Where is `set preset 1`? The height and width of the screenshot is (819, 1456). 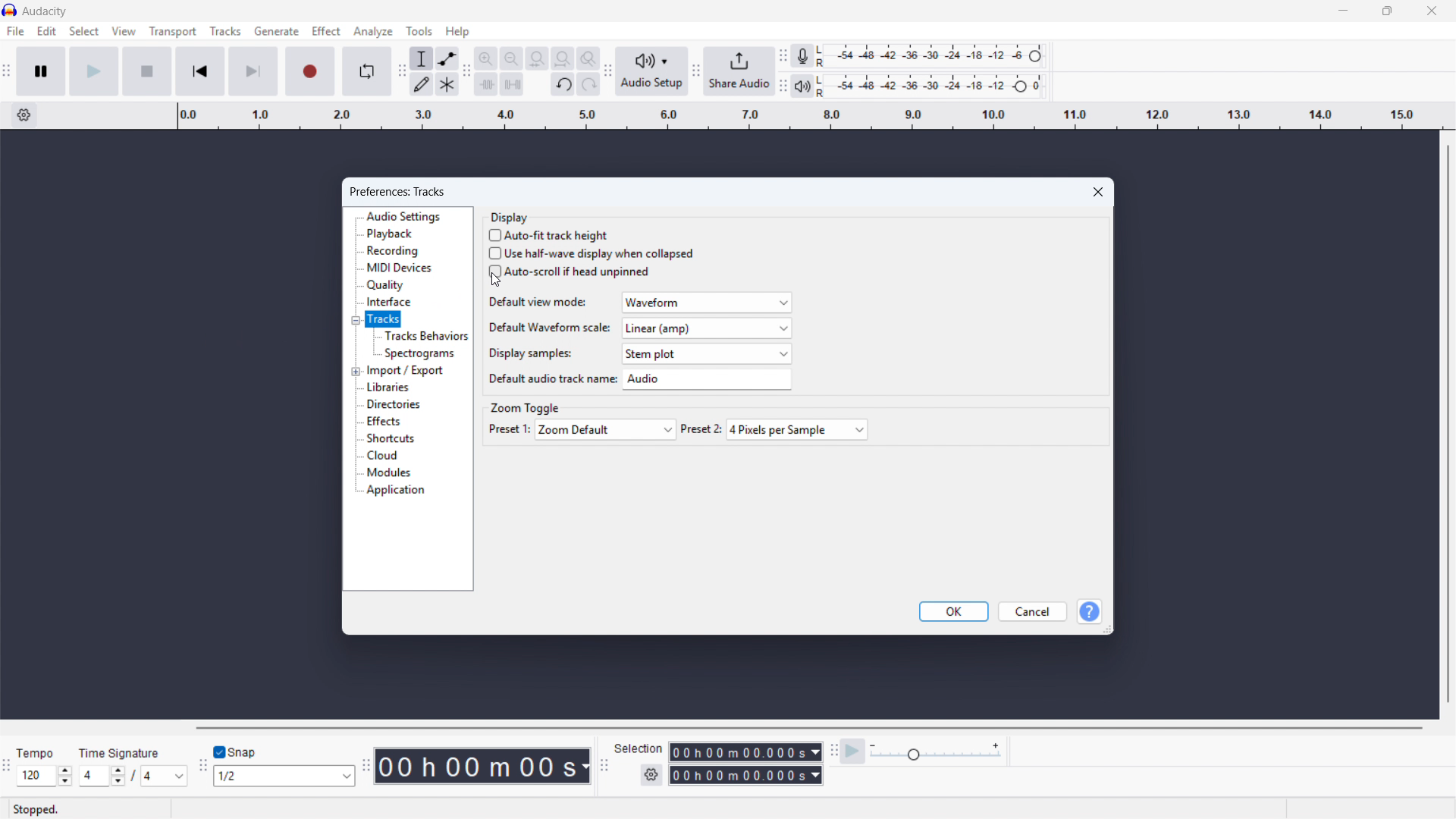
set preset 1 is located at coordinates (582, 429).